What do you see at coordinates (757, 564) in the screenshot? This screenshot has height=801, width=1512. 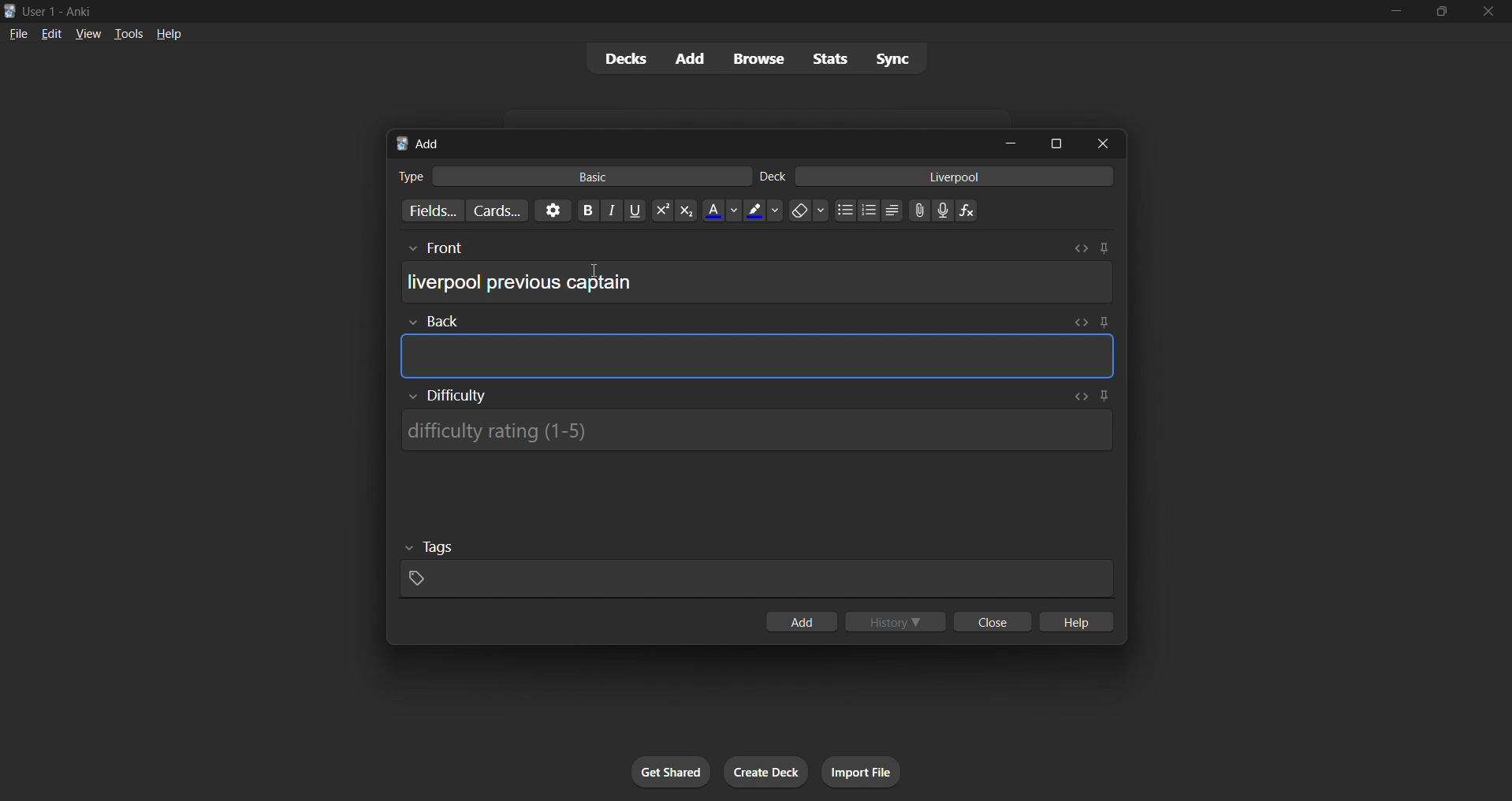 I see `card tags input box` at bounding box center [757, 564].